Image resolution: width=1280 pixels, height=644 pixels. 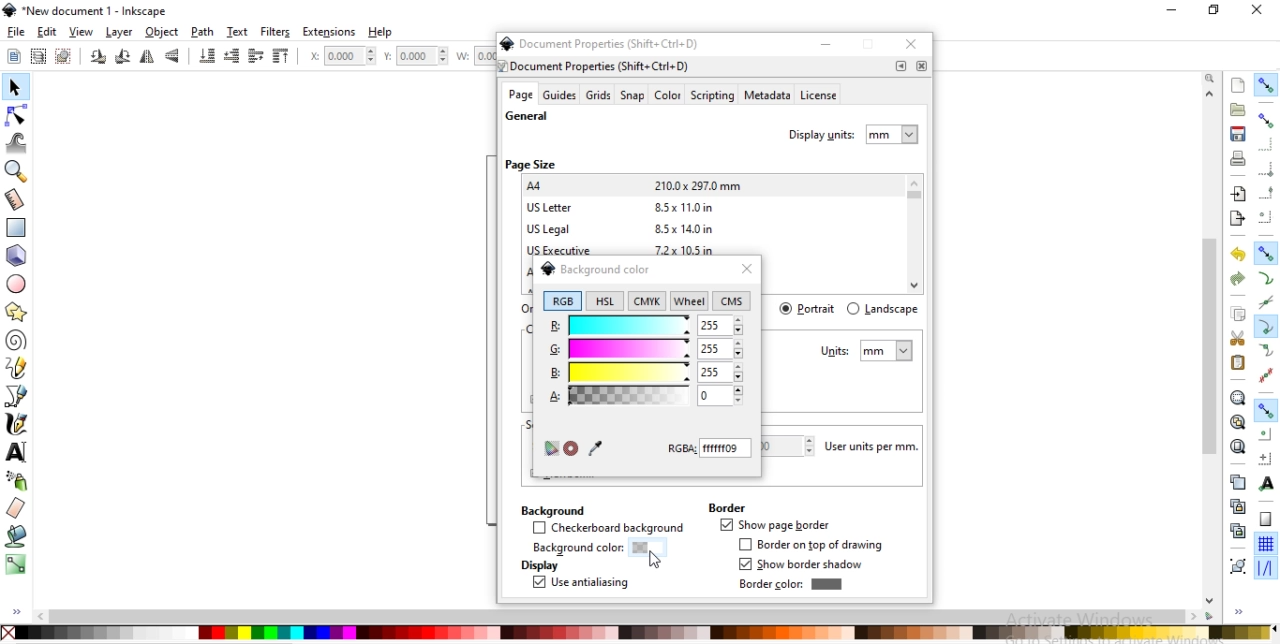 What do you see at coordinates (254, 57) in the screenshot?
I see `raise selection one step` at bounding box center [254, 57].